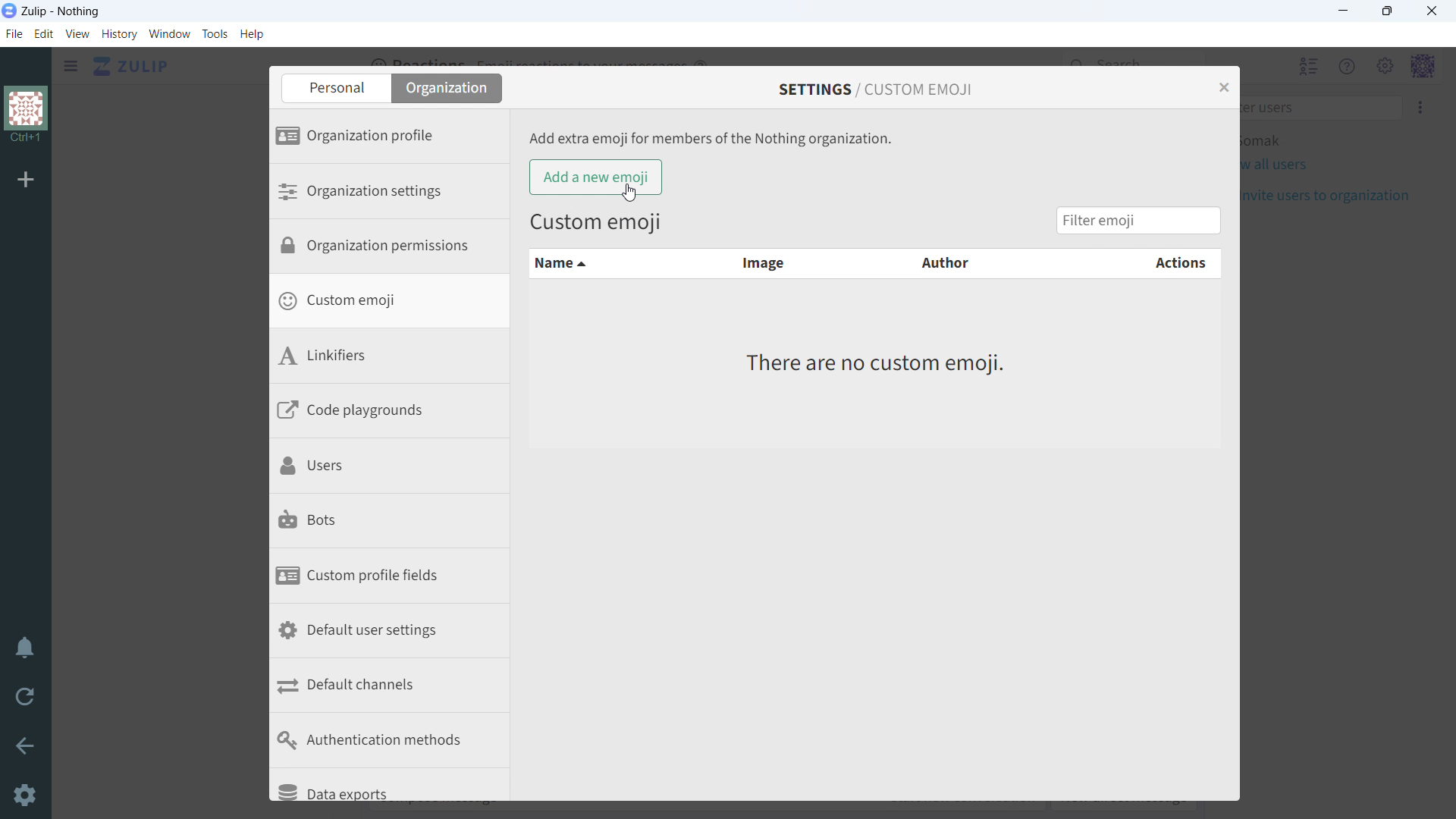  What do you see at coordinates (631, 193) in the screenshot?
I see `cursor` at bounding box center [631, 193].